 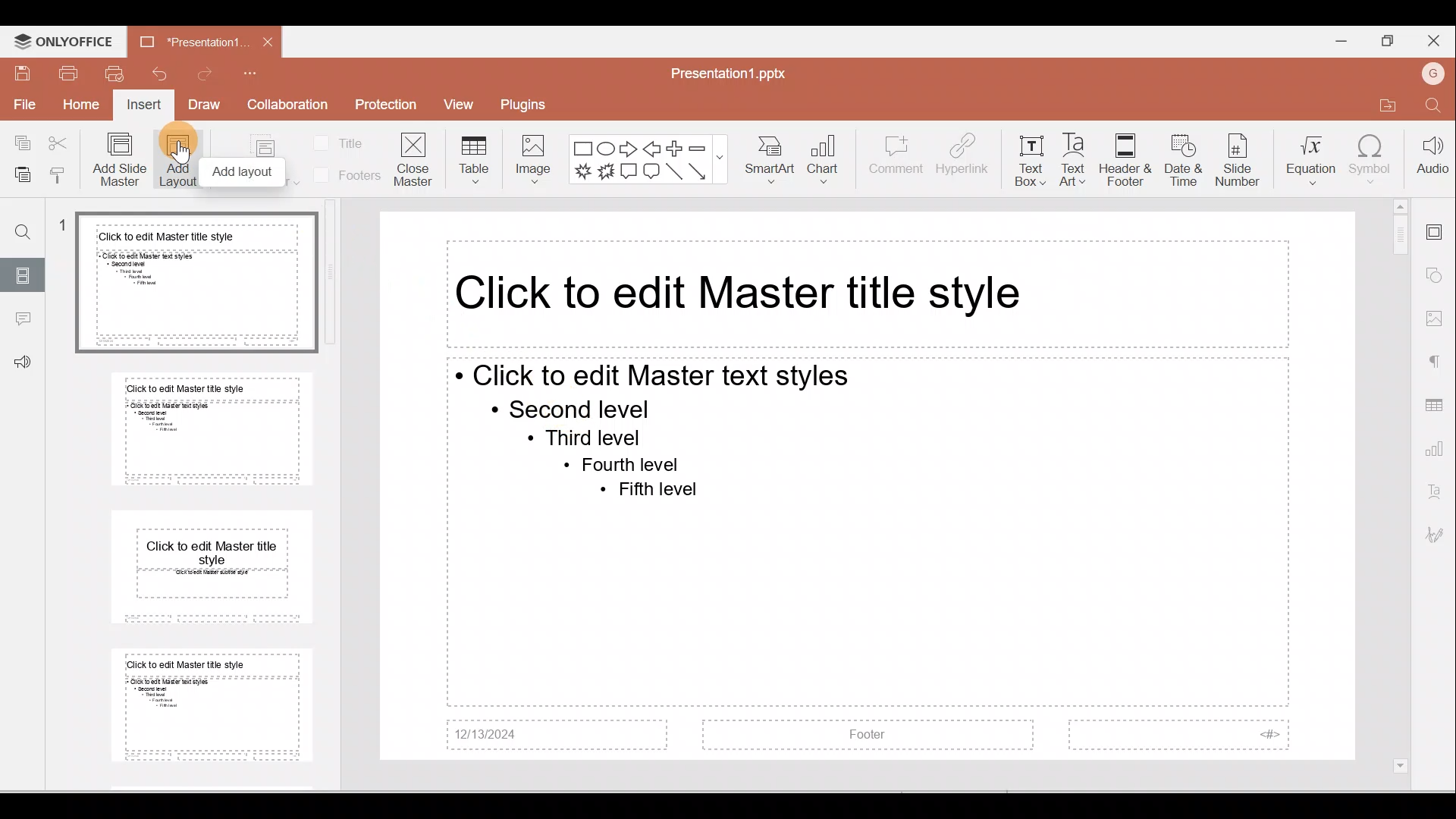 What do you see at coordinates (1373, 162) in the screenshot?
I see `Symbol` at bounding box center [1373, 162].